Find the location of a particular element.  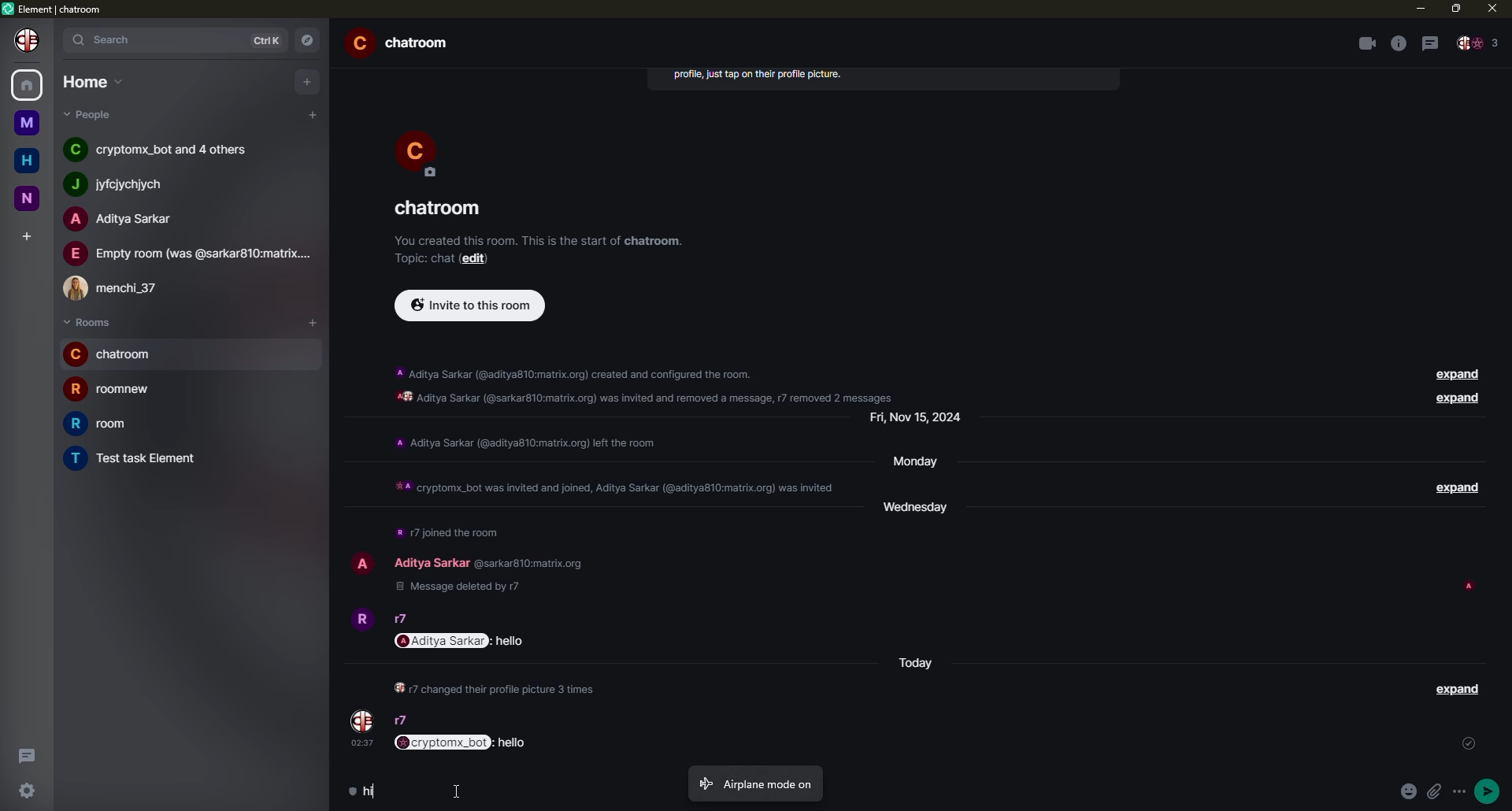

people is located at coordinates (1480, 43).